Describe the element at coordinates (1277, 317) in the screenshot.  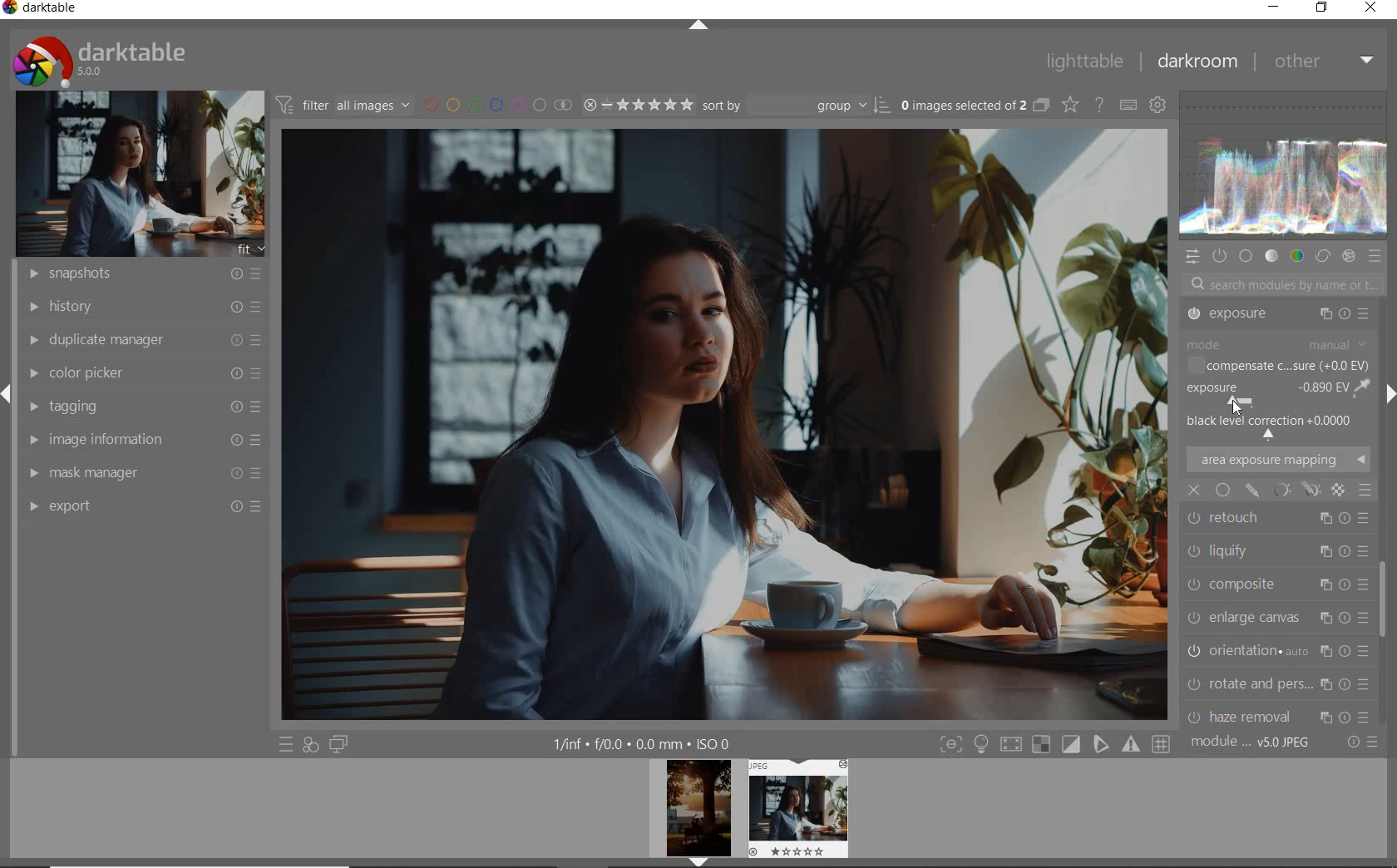
I see `CROP` at that location.